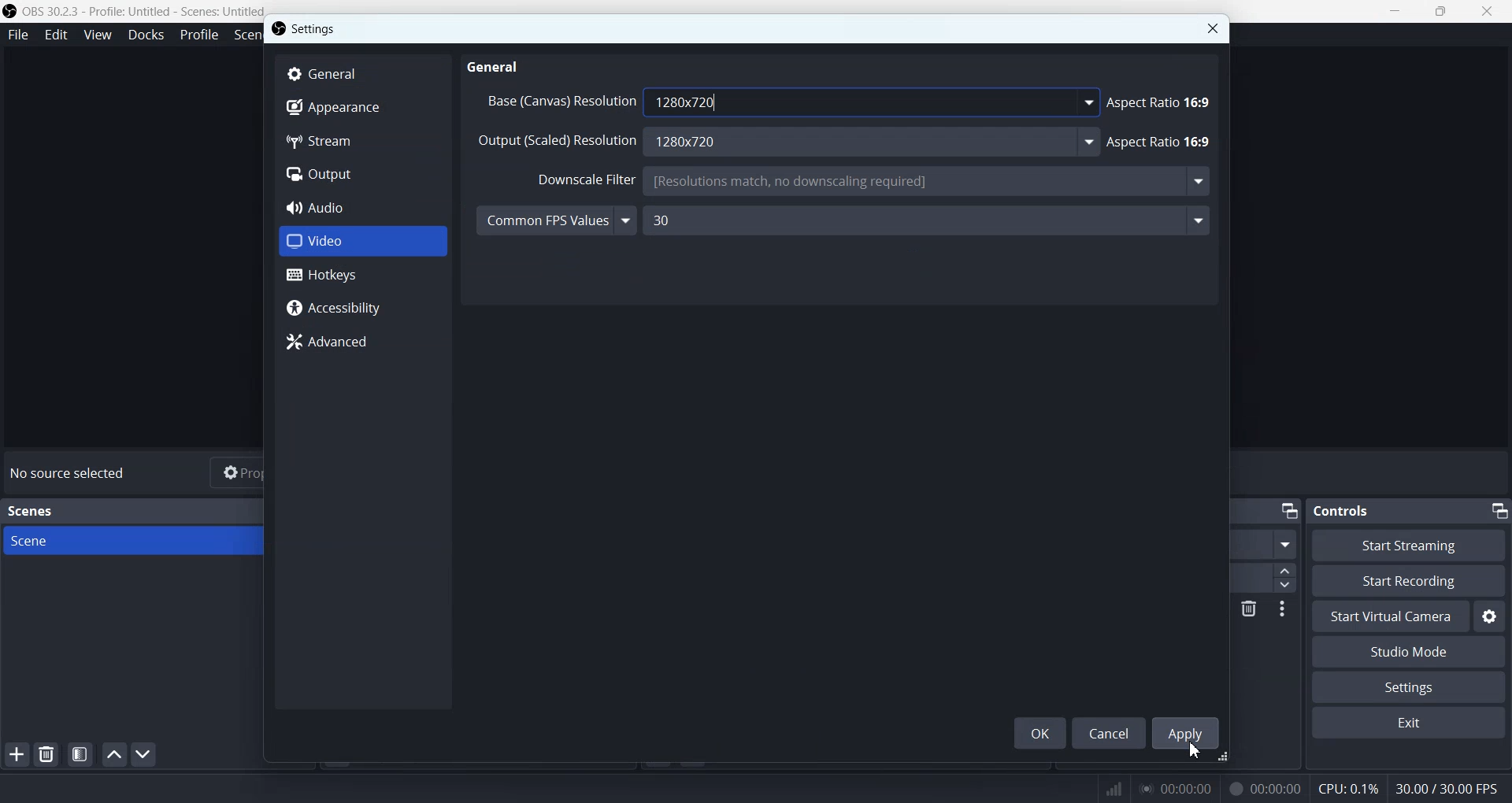  What do you see at coordinates (1106, 787) in the screenshot?
I see `Signals` at bounding box center [1106, 787].